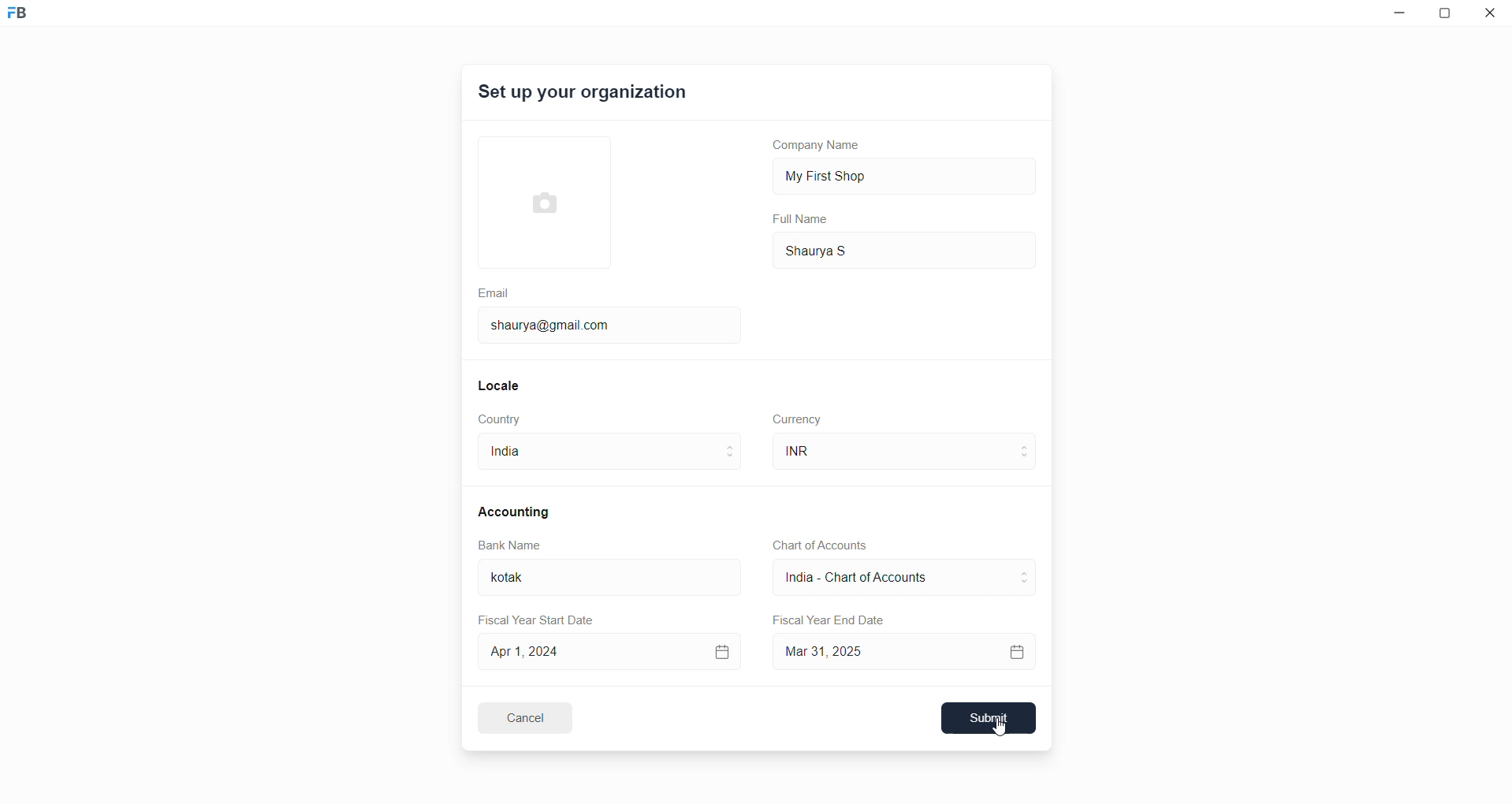 This screenshot has width=1512, height=804. I want to click on move to below CoA, so click(1026, 585).